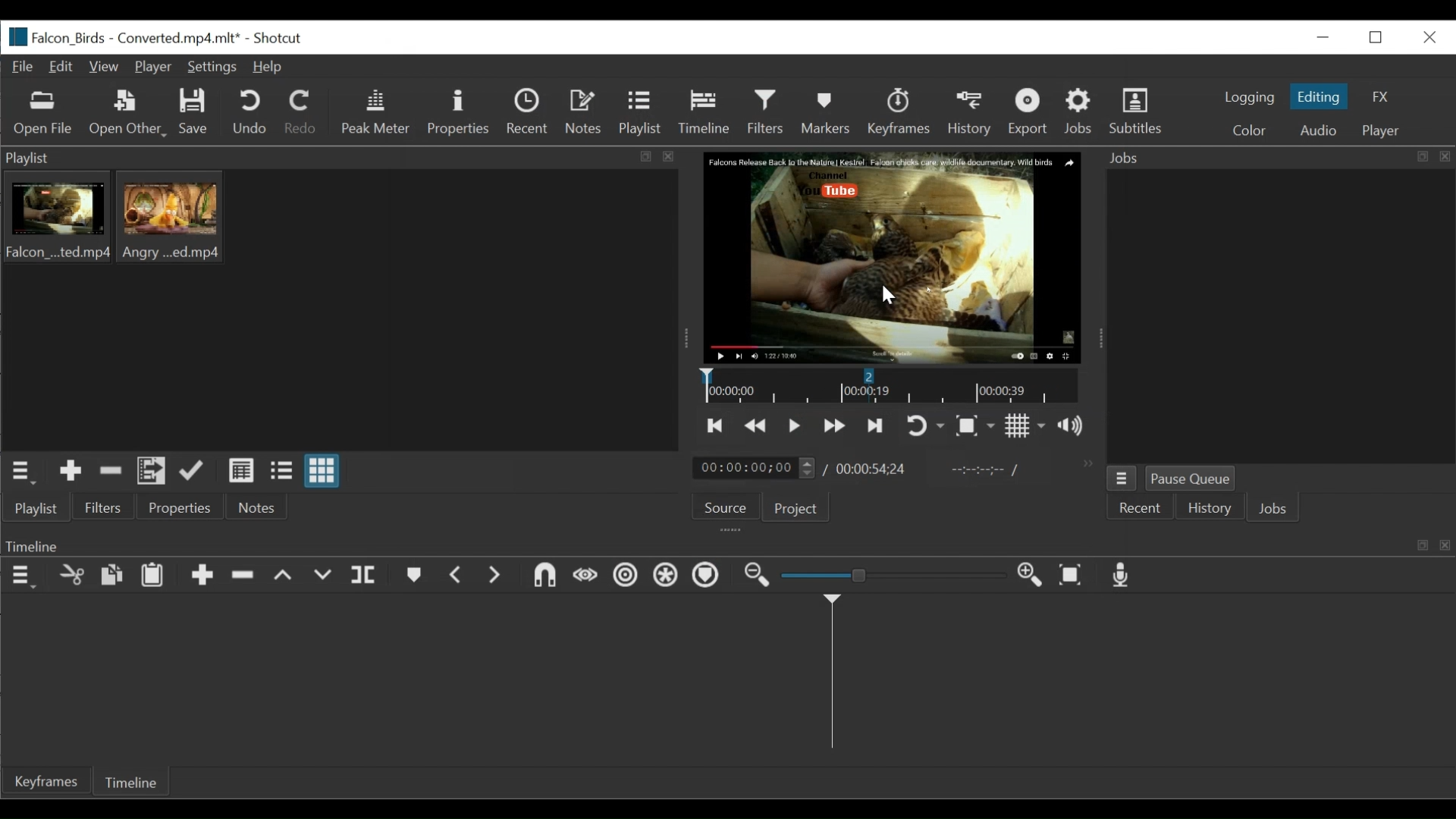  What do you see at coordinates (1027, 425) in the screenshot?
I see `Toggle grid display on the player` at bounding box center [1027, 425].